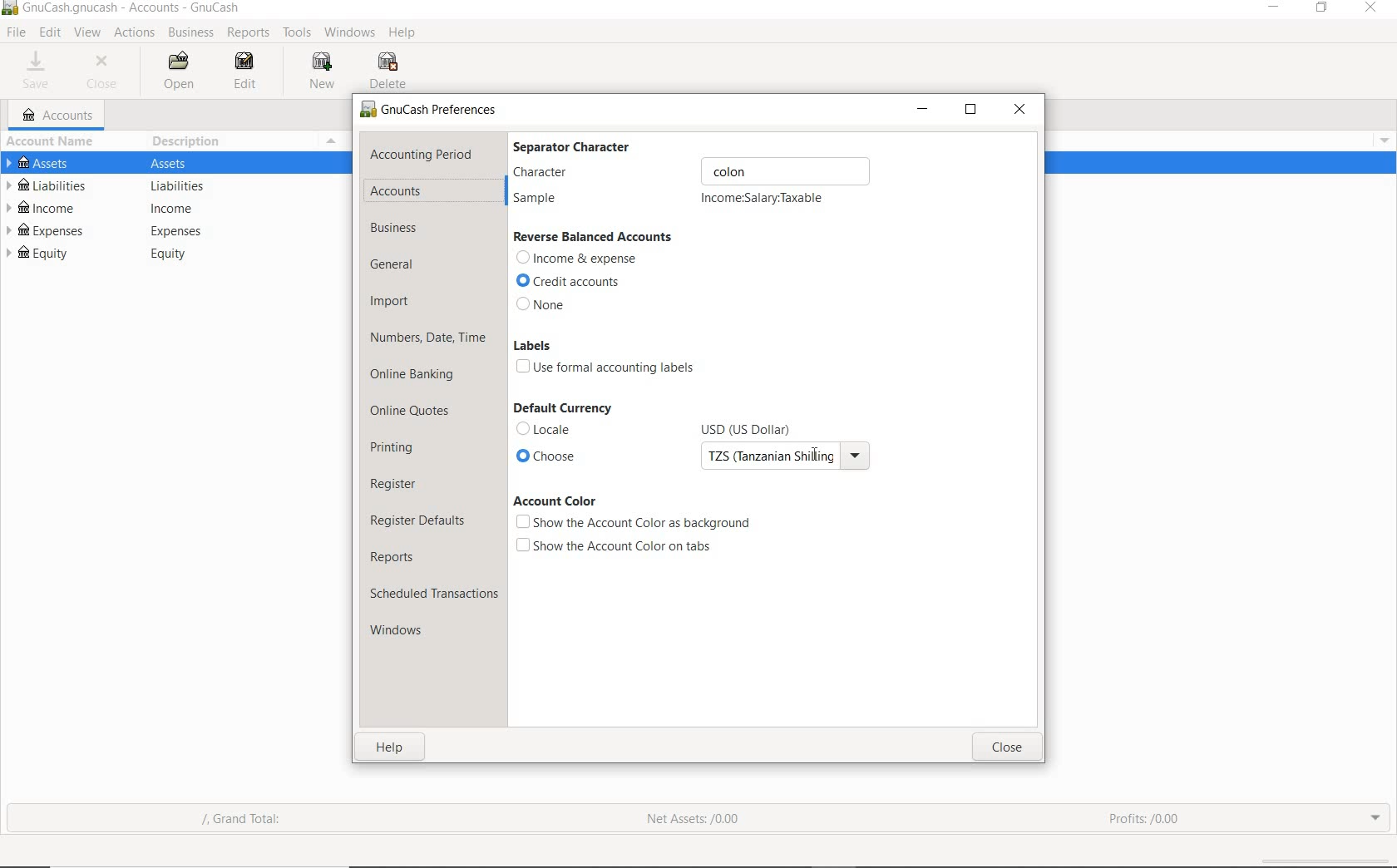 Image resolution: width=1397 pixels, height=868 pixels. I want to click on DELETE, so click(392, 71).